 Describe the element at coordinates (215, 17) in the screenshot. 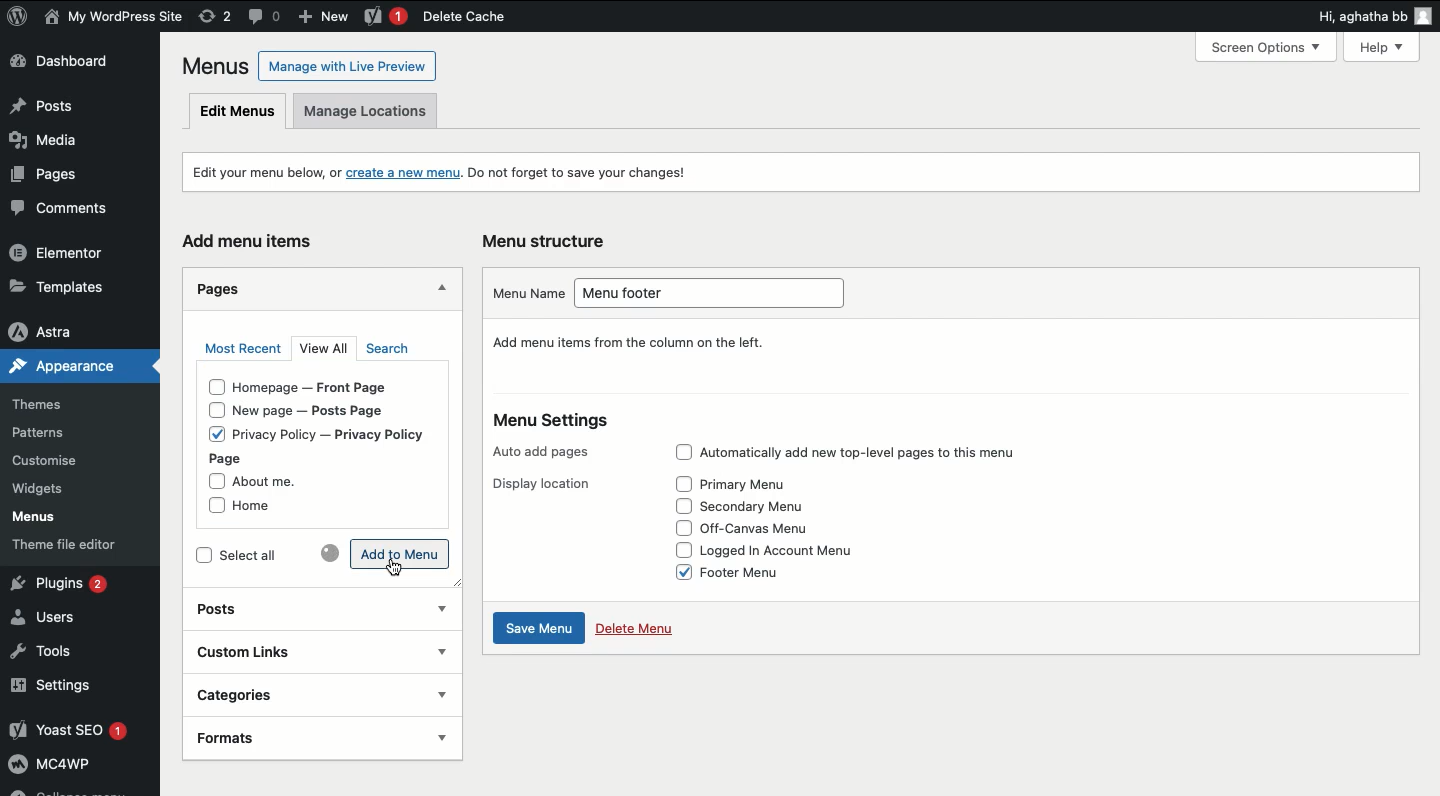

I see `Revision` at that location.